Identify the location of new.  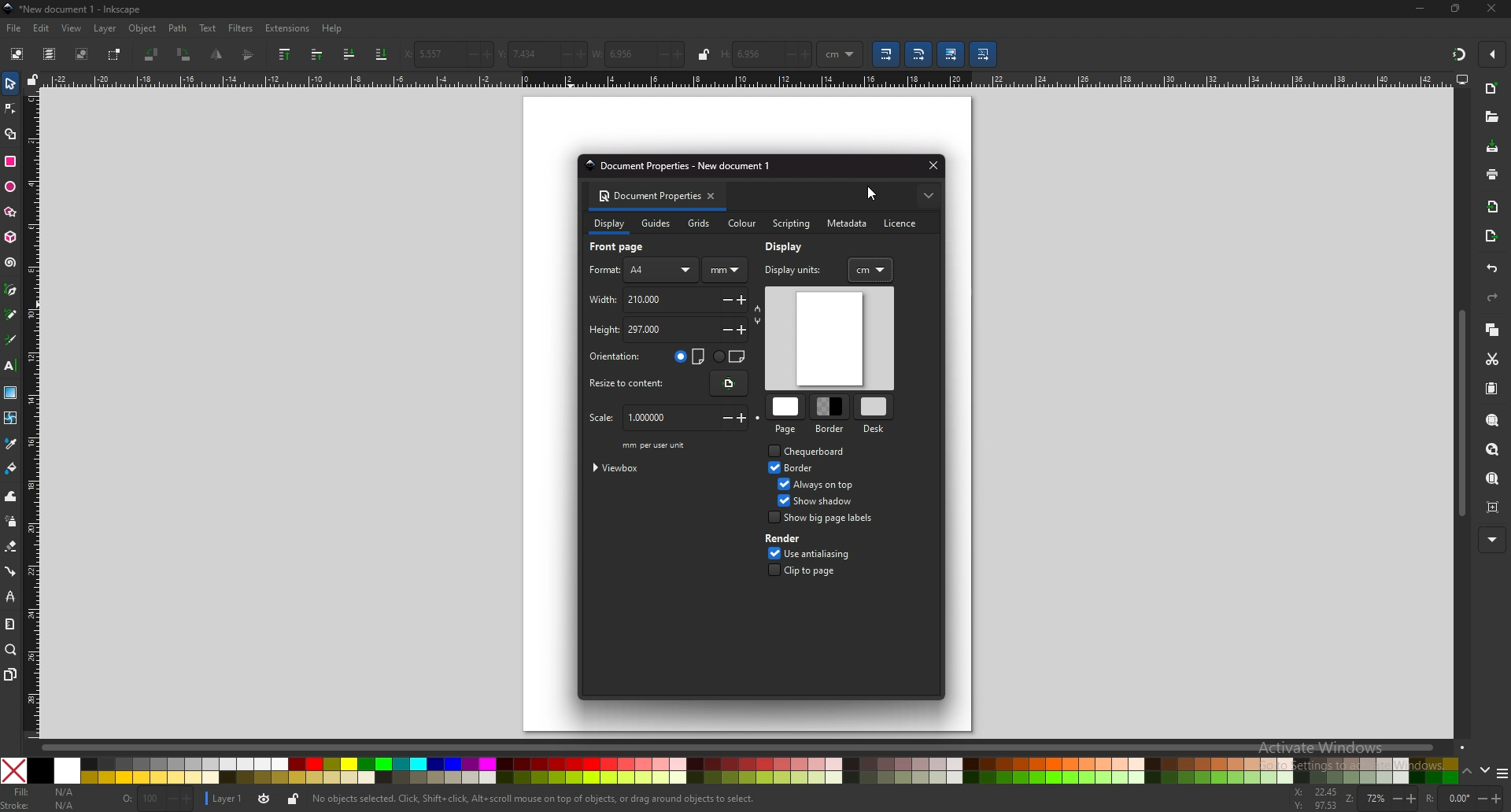
(1492, 89).